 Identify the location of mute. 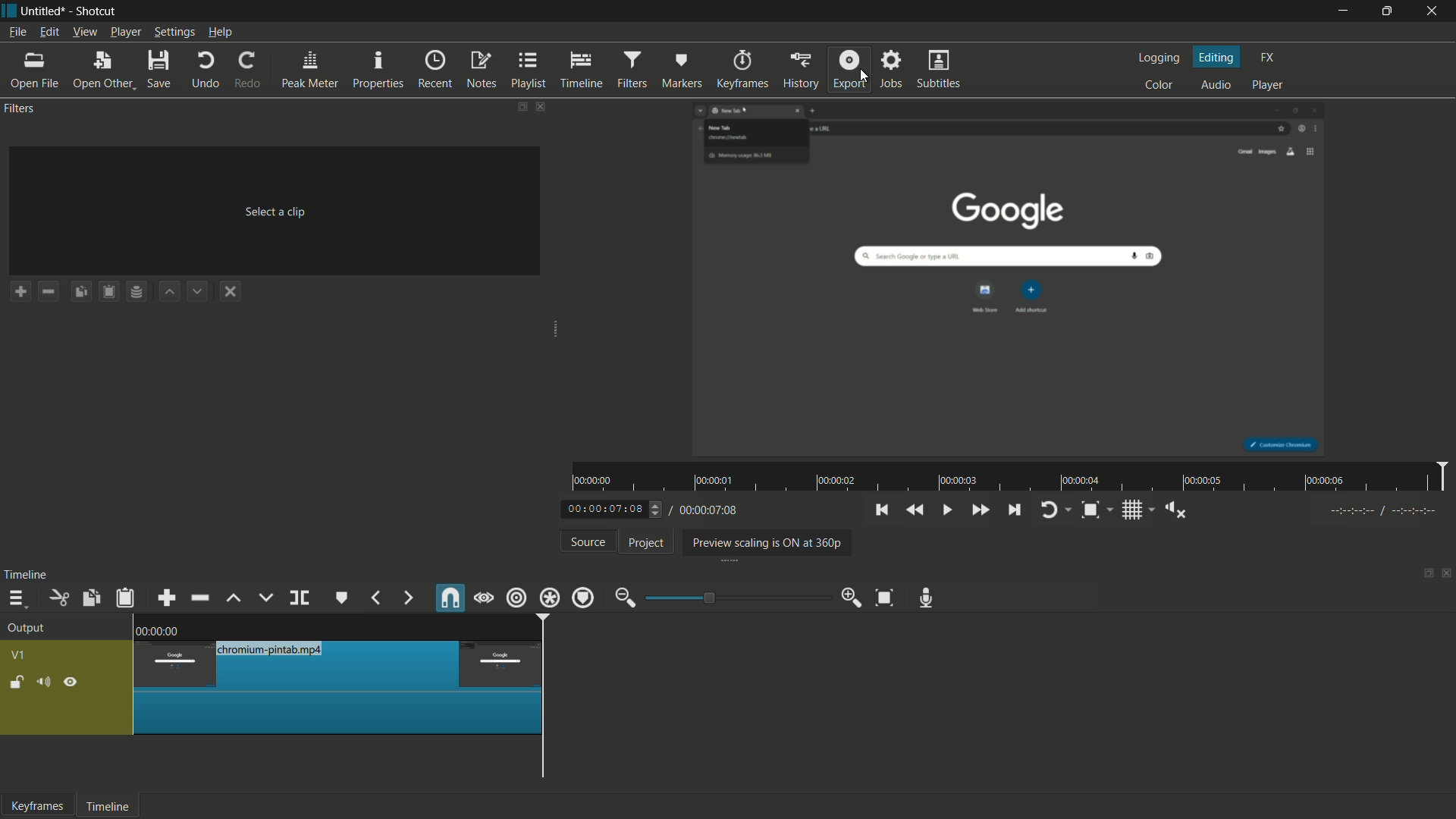
(42, 684).